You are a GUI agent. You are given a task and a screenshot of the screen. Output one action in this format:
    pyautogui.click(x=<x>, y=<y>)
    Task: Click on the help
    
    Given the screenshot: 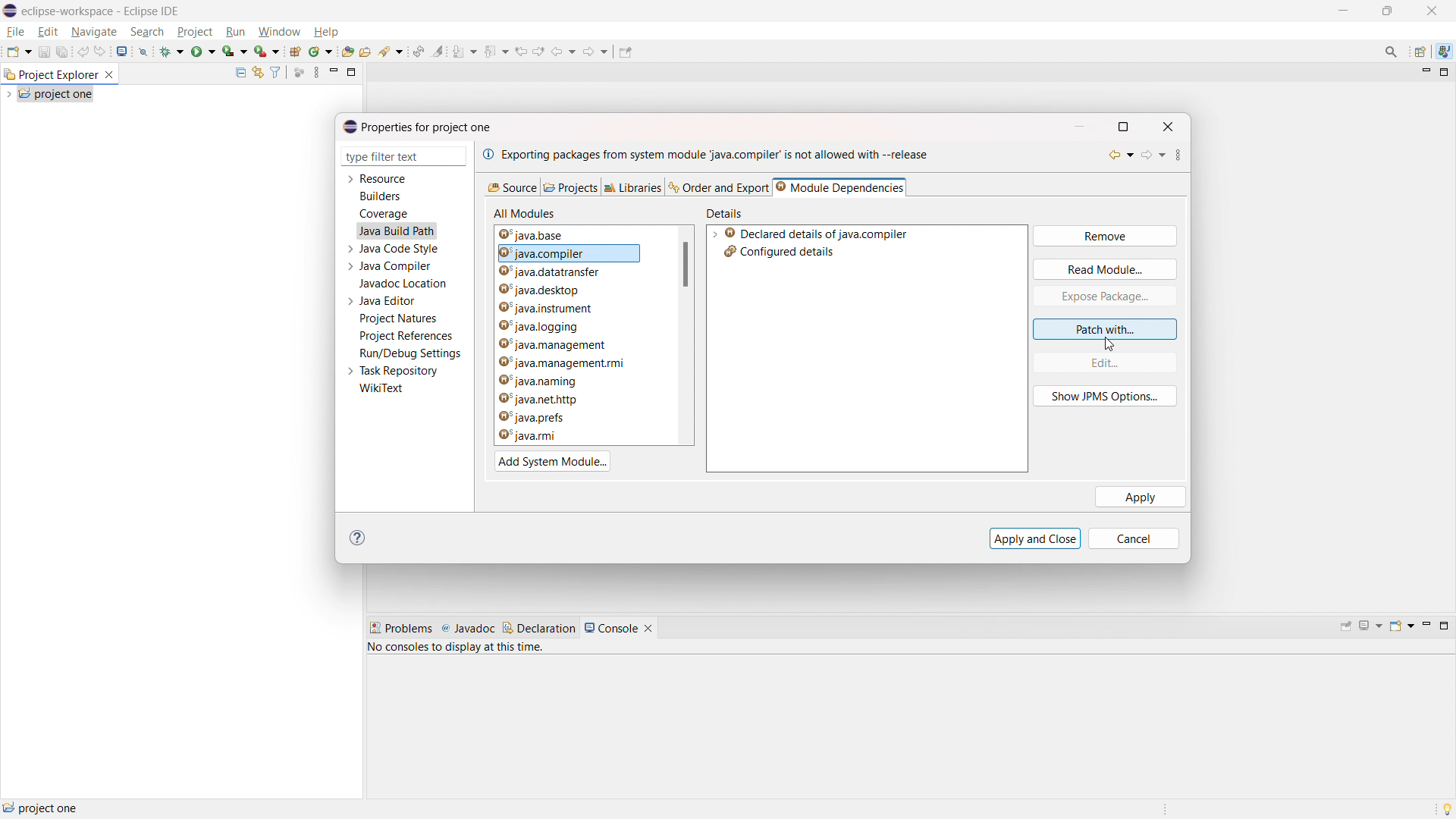 What is the action you would take?
    pyautogui.click(x=325, y=32)
    